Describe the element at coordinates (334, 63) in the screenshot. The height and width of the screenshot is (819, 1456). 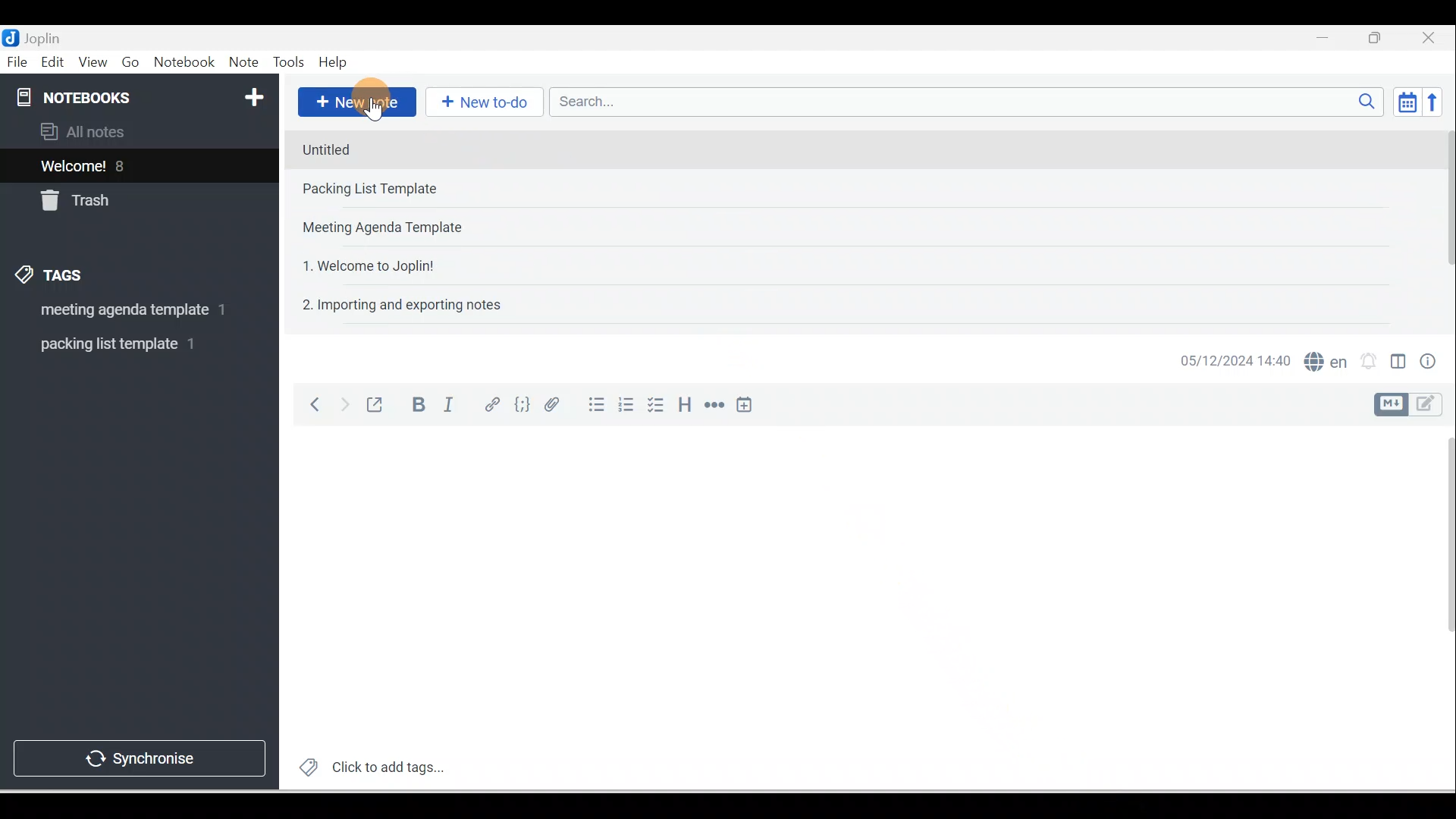
I see `Help` at that location.